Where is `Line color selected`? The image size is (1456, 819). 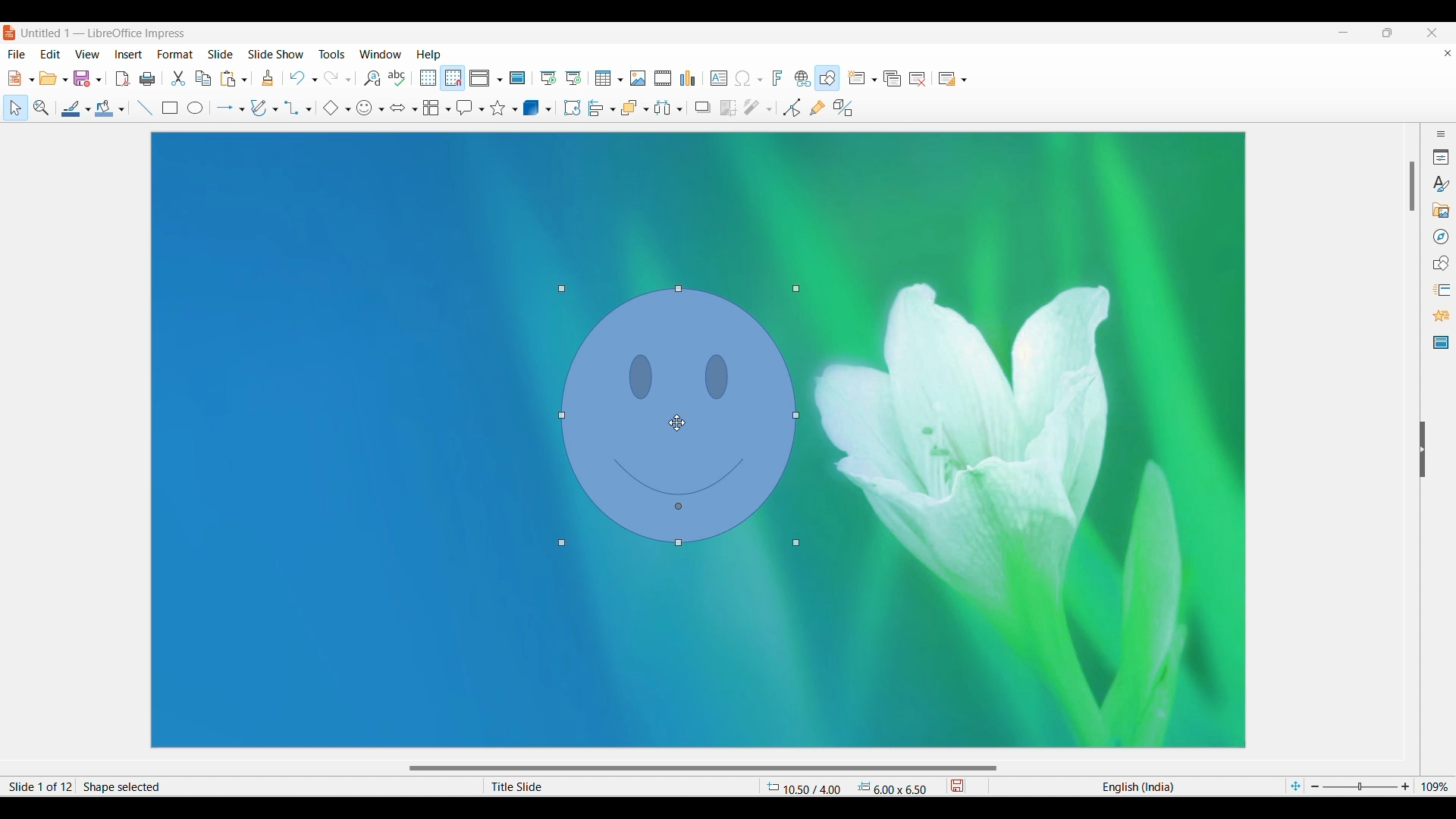 Line color selected is located at coordinates (71, 108).